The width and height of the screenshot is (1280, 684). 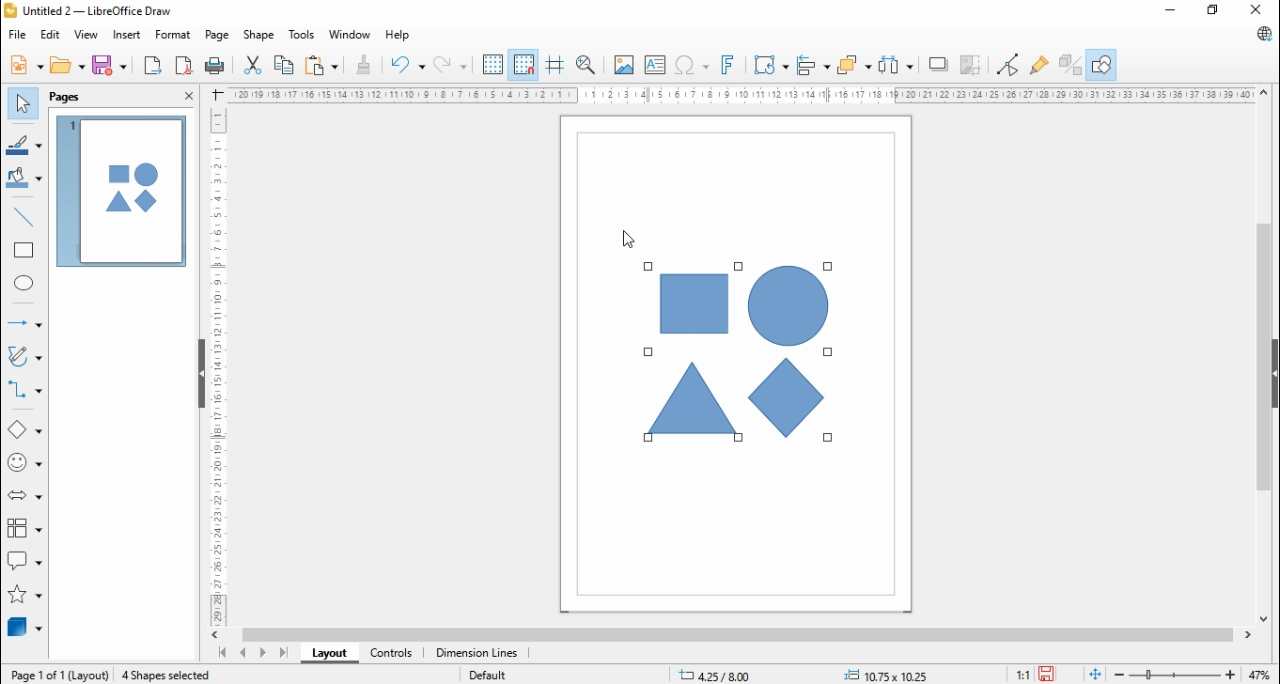 I want to click on cut, so click(x=252, y=65).